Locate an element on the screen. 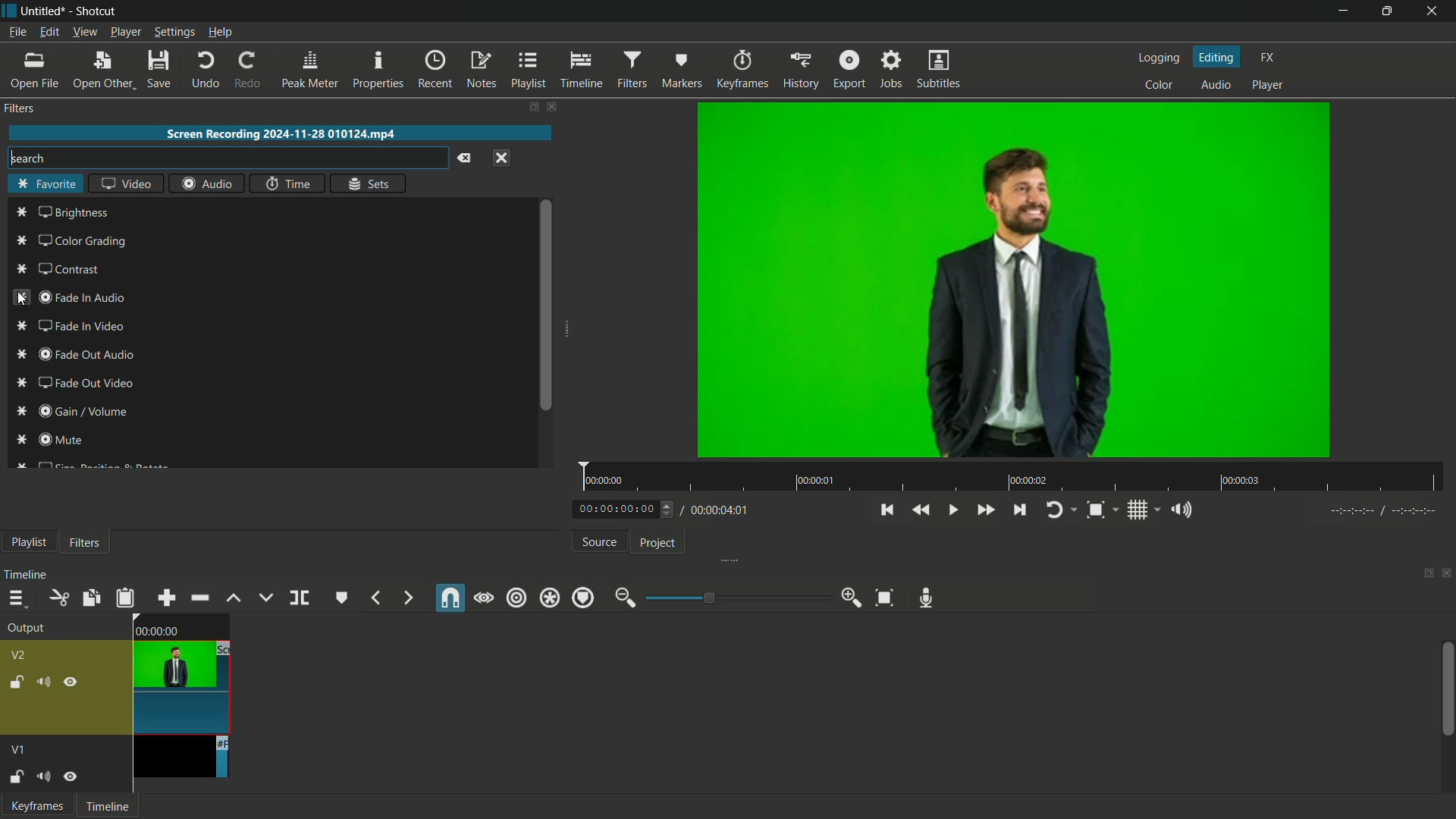  fx is located at coordinates (1267, 58).